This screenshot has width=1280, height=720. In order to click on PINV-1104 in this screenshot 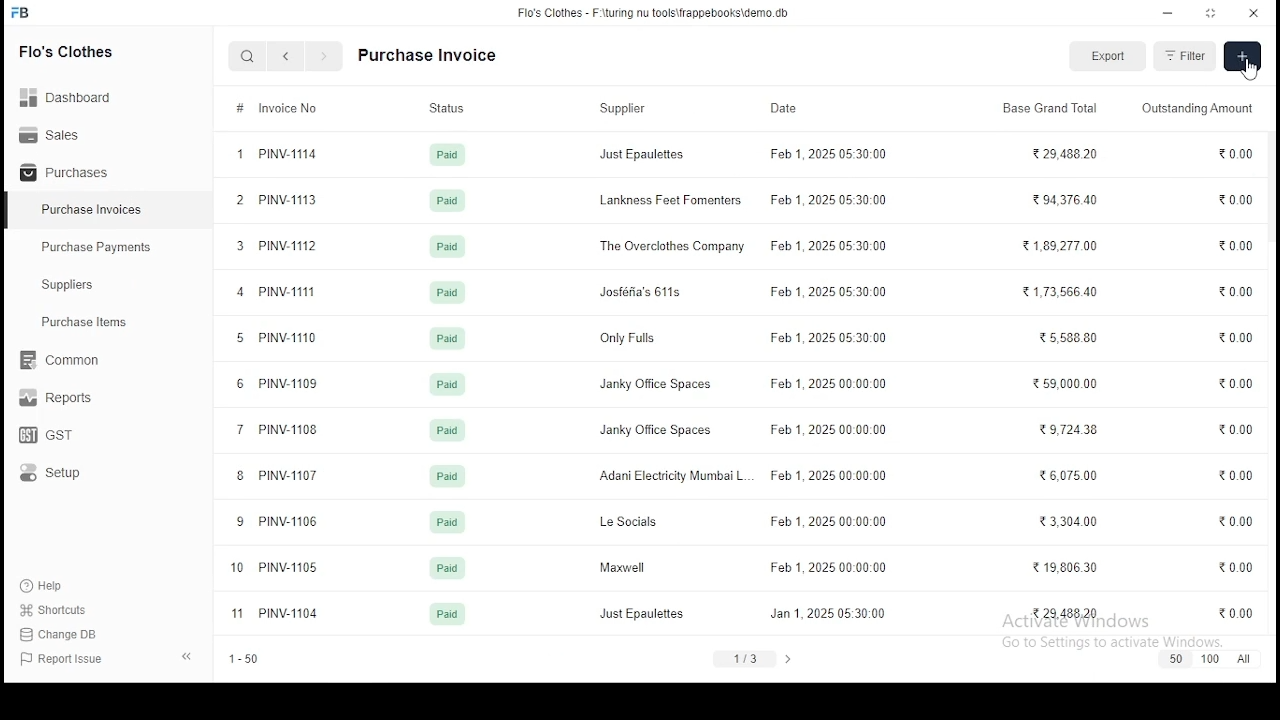, I will do `click(294, 614)`.